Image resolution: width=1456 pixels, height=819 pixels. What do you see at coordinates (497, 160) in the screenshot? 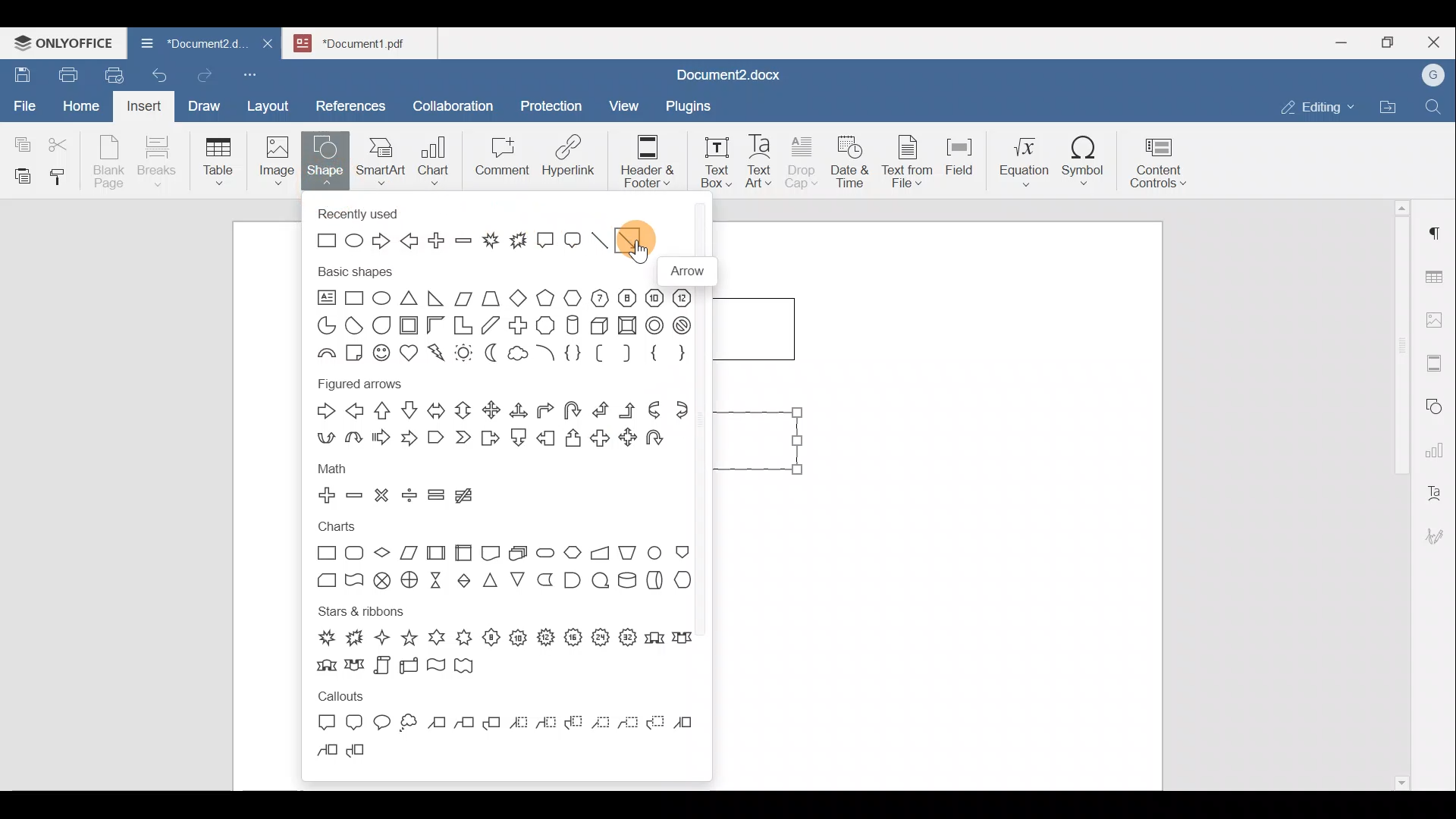
I see `Comment` at bounding box center [497, 160].